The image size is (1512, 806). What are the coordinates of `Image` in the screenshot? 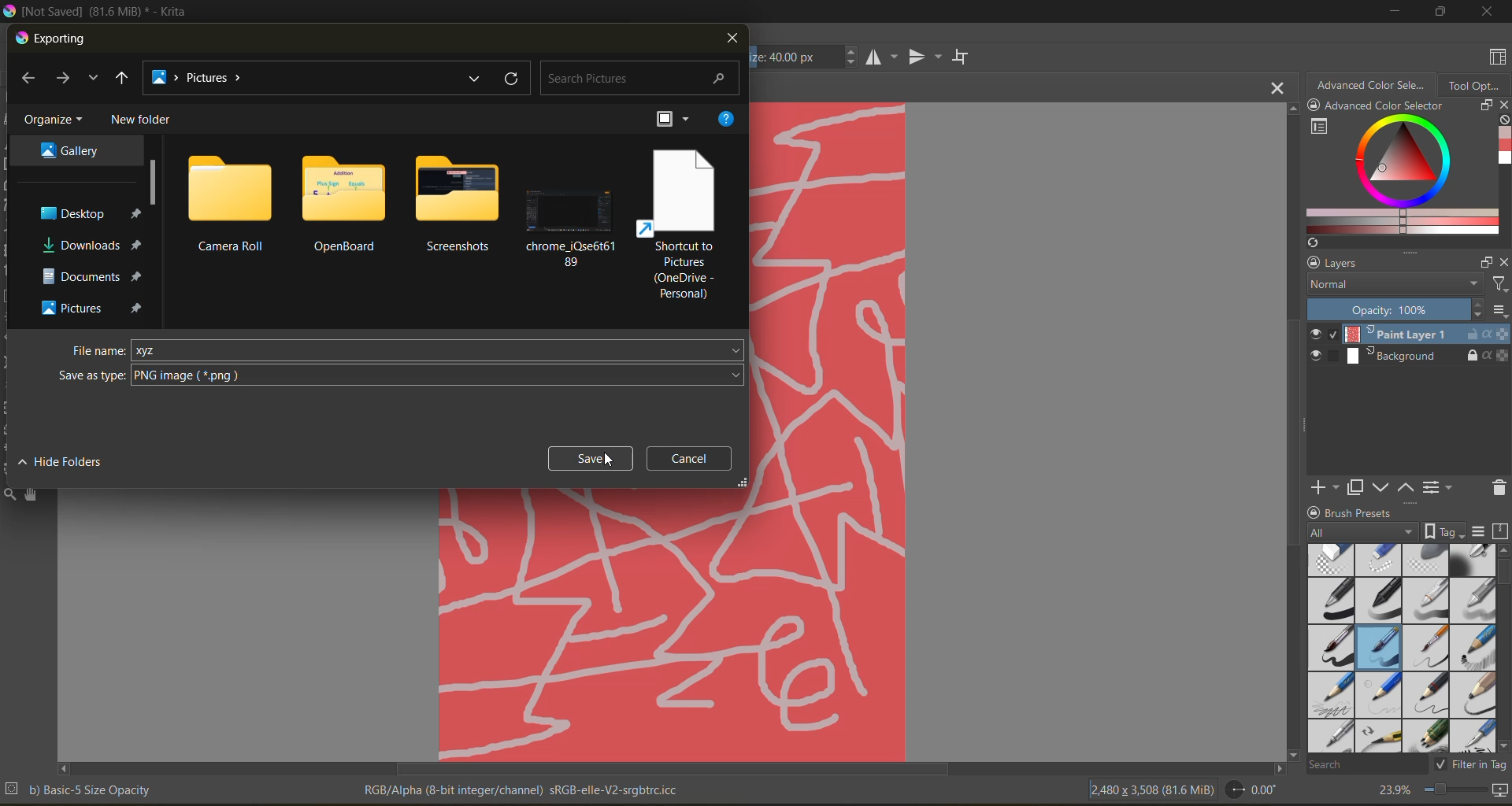 It's located at (828, 430).